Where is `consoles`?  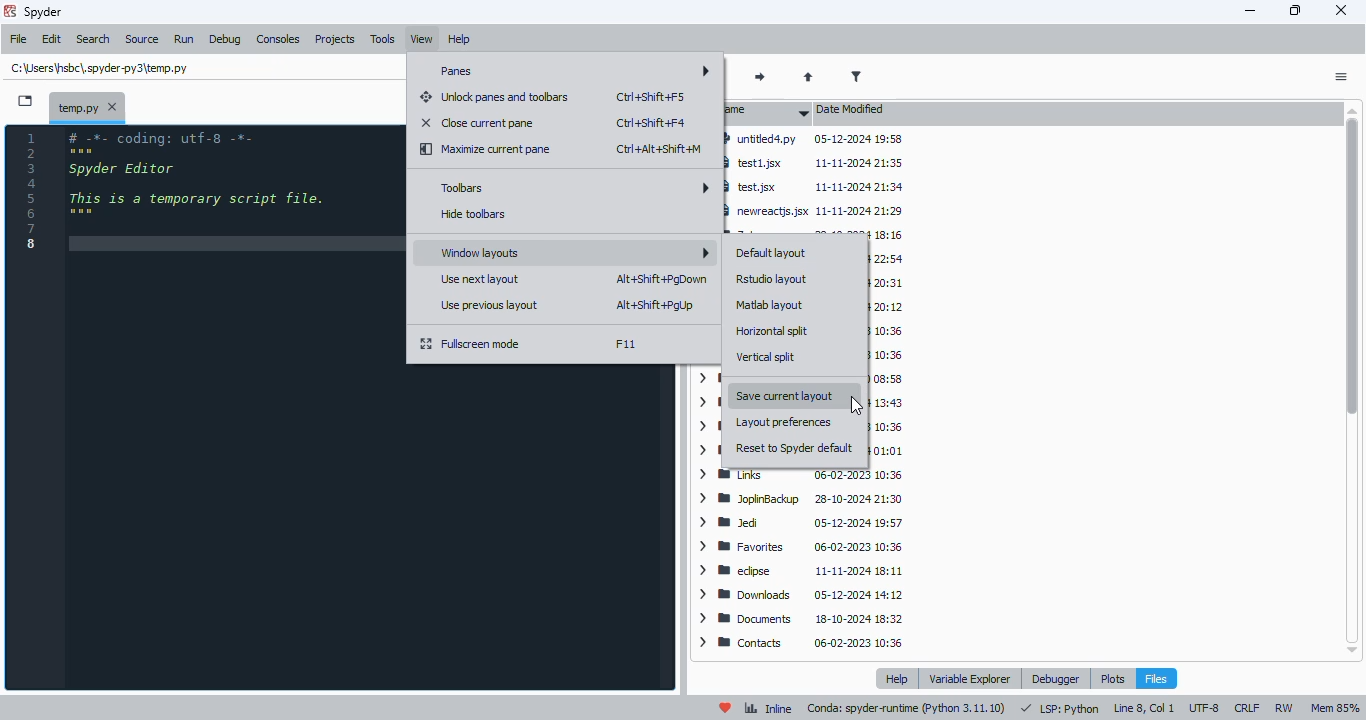 consoles is located at coordinates (279, 39).